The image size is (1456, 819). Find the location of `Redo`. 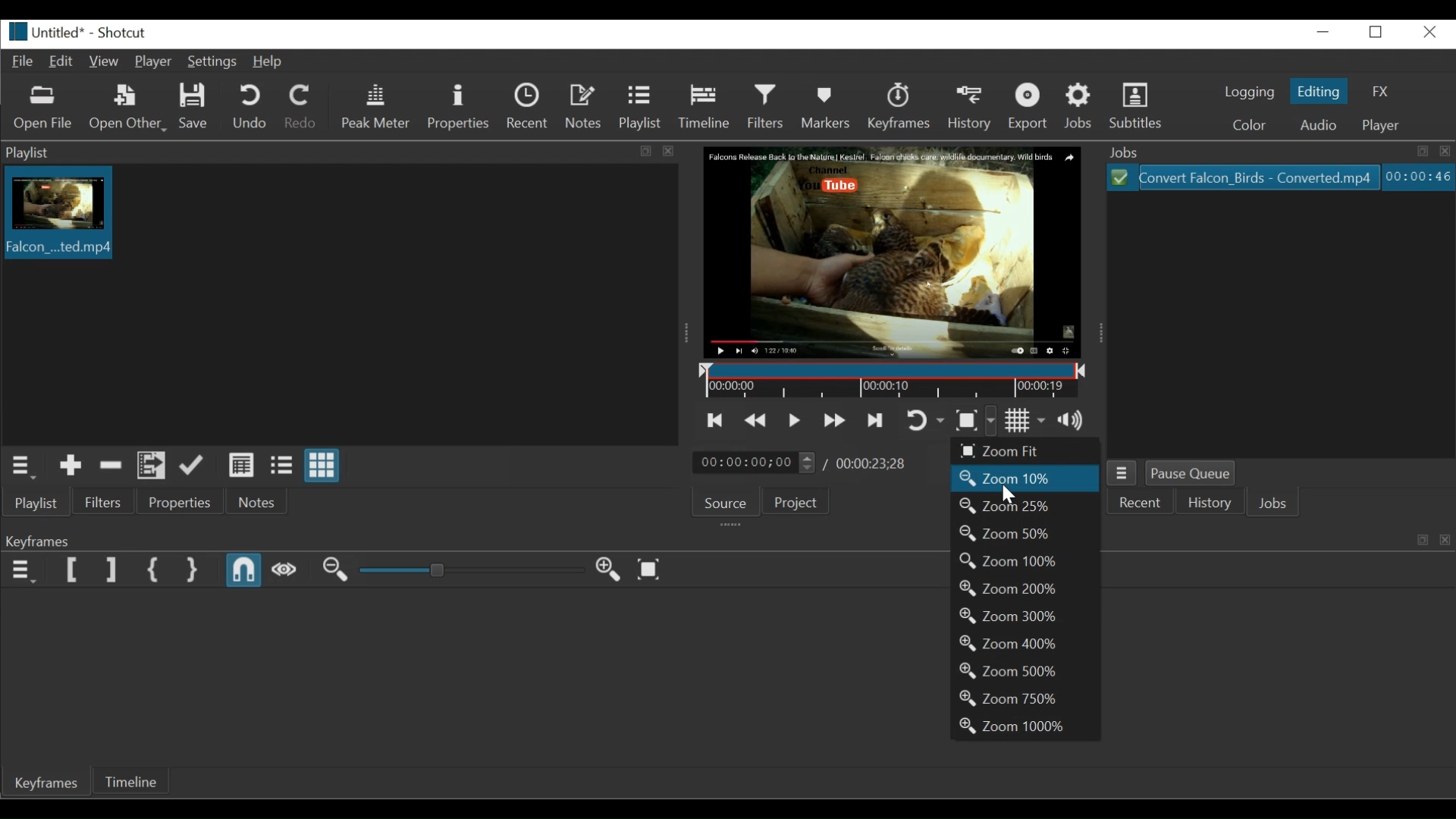

Redo is located at coordinates (299, 107).